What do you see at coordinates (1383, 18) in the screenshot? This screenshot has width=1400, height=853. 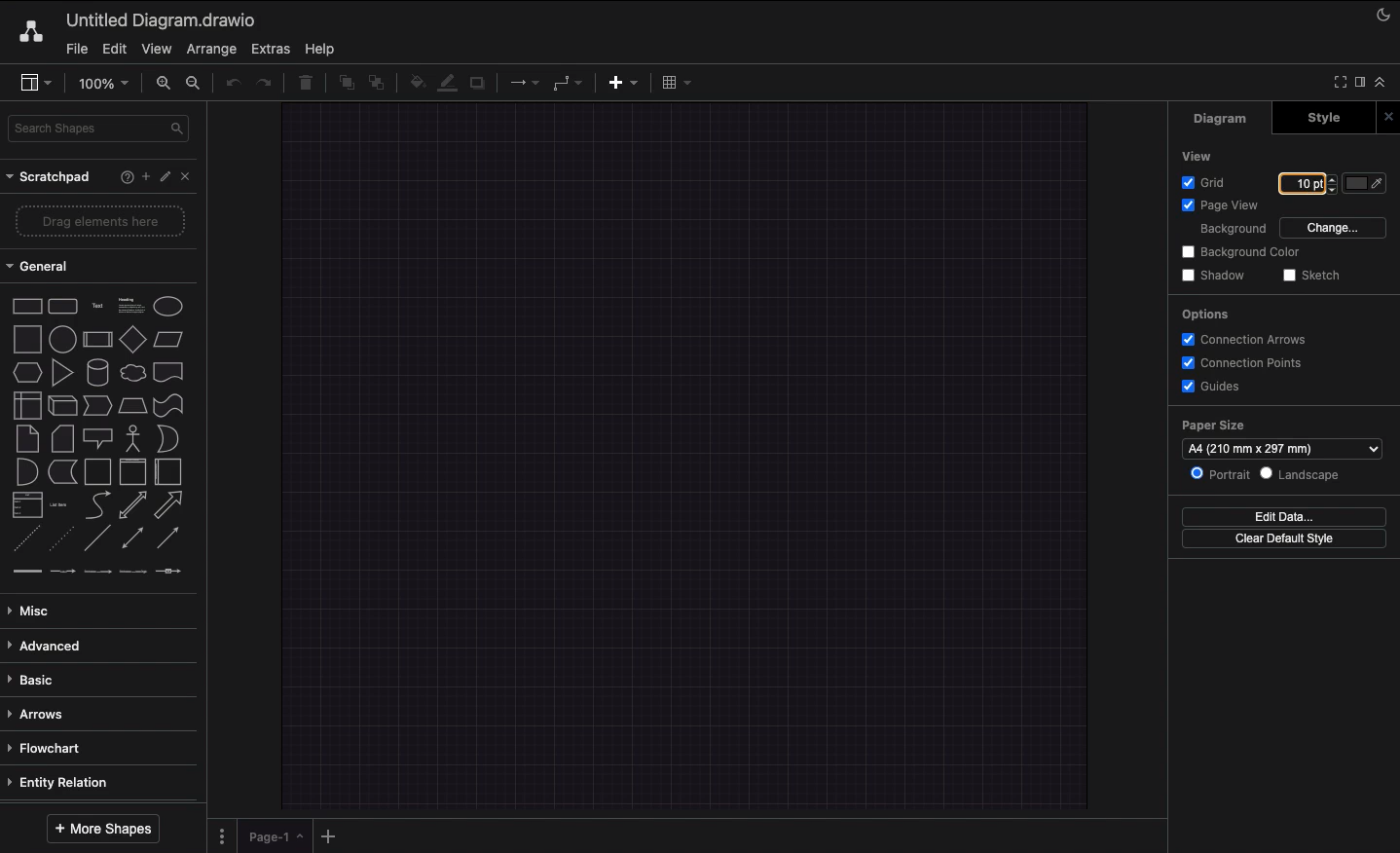 I see `Night mode` at bounding box center [1383, 18].